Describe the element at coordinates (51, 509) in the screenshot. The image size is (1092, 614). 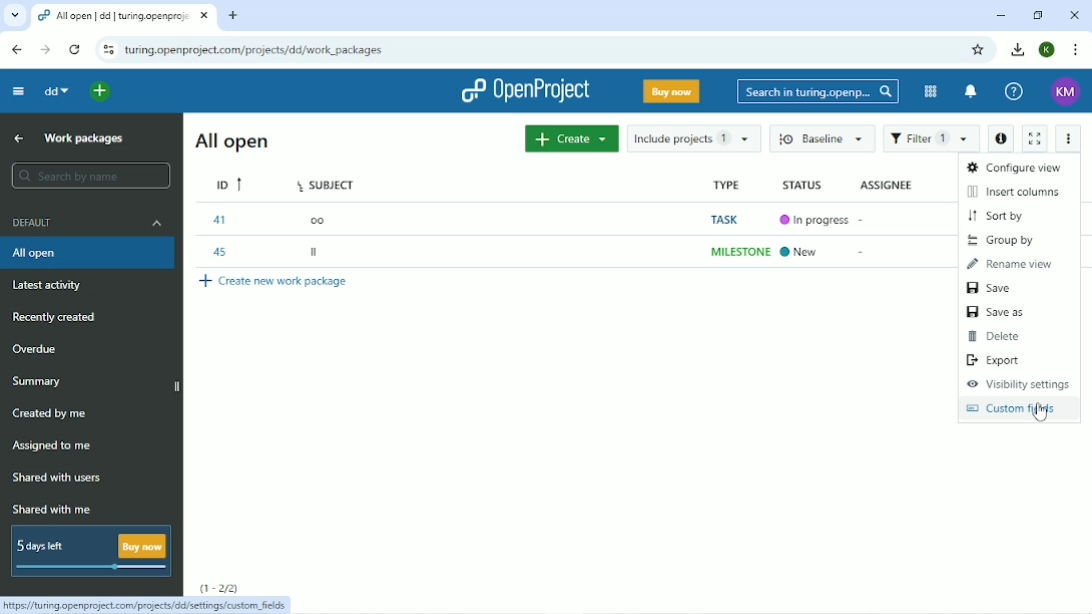
I see `Shared with me` at that location.